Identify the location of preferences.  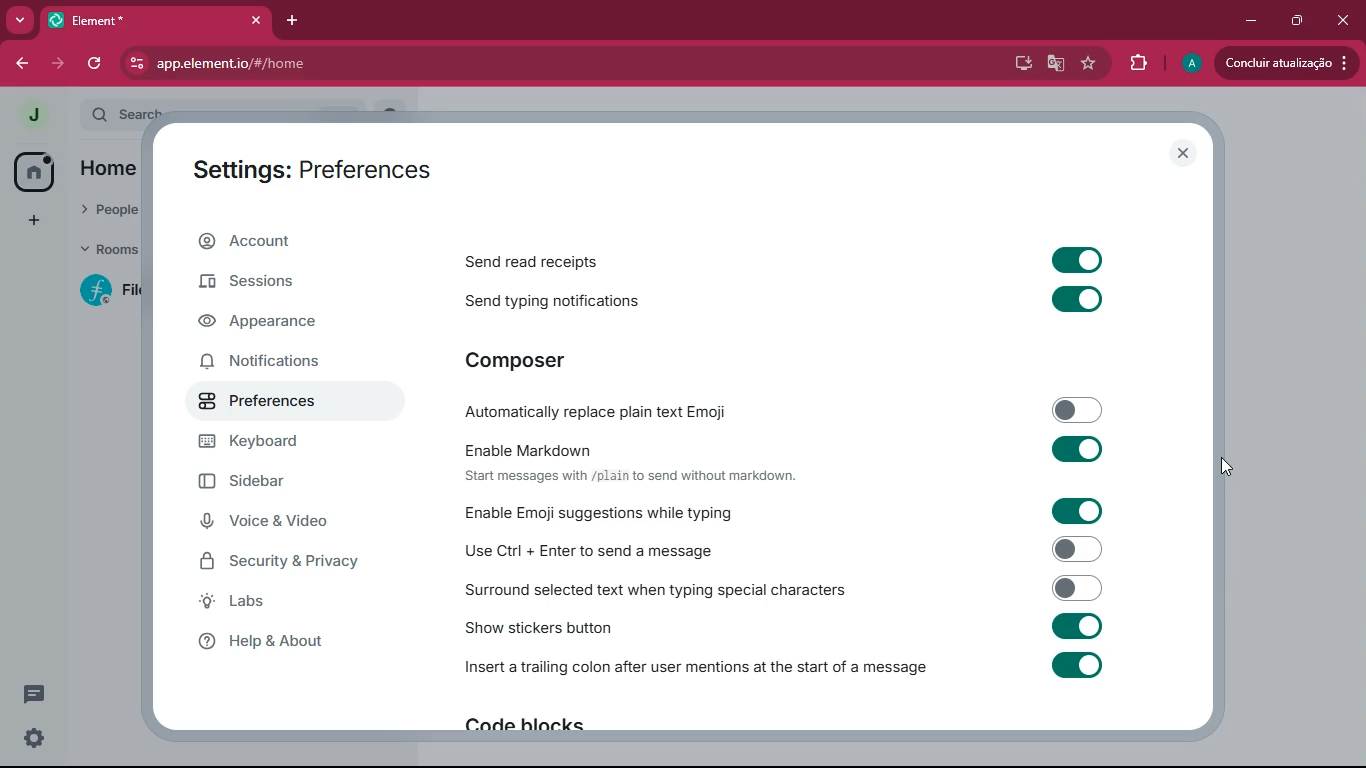
(283, 402).